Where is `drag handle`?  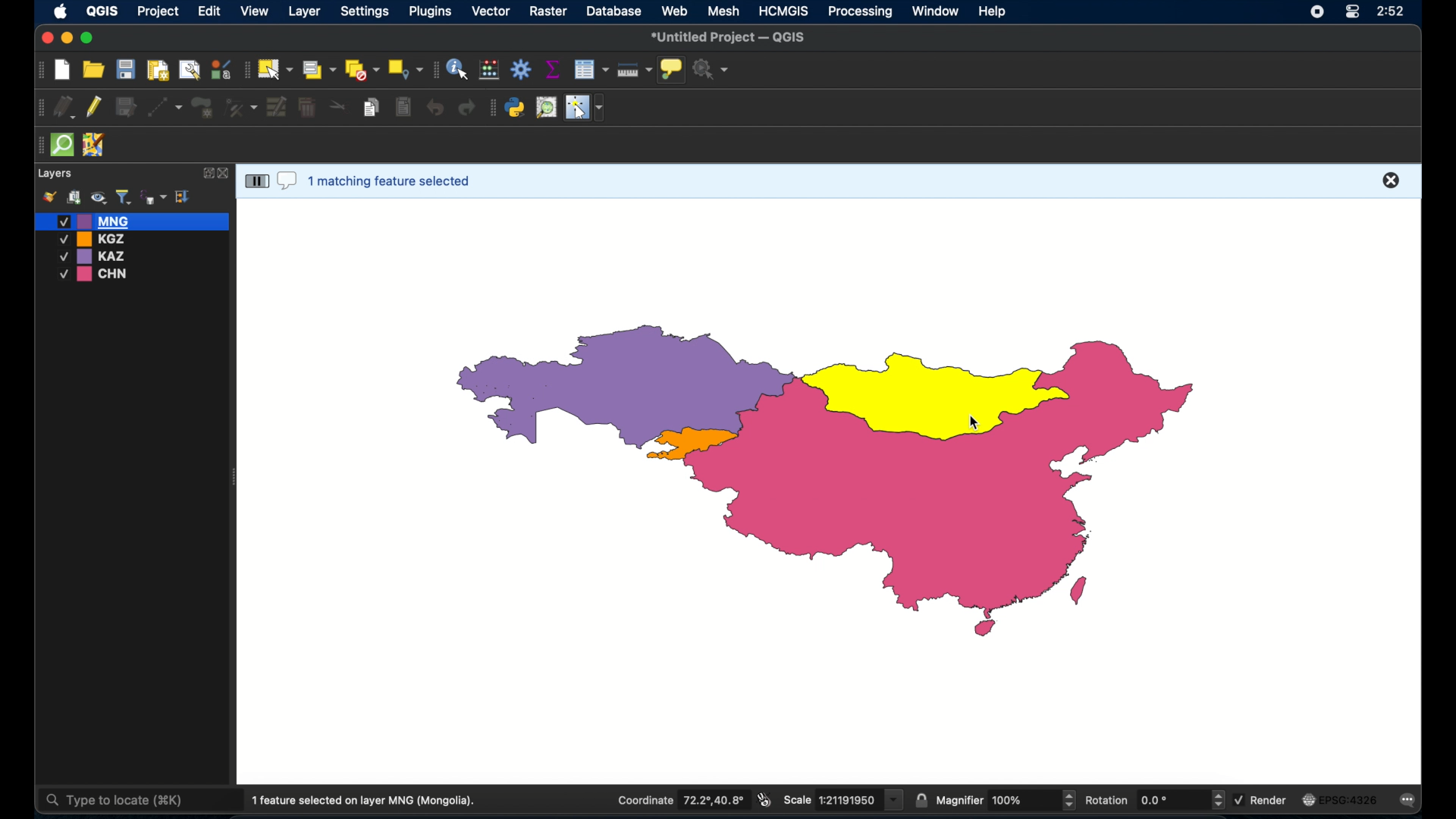
drag handle is located at coordinates (38, 145).